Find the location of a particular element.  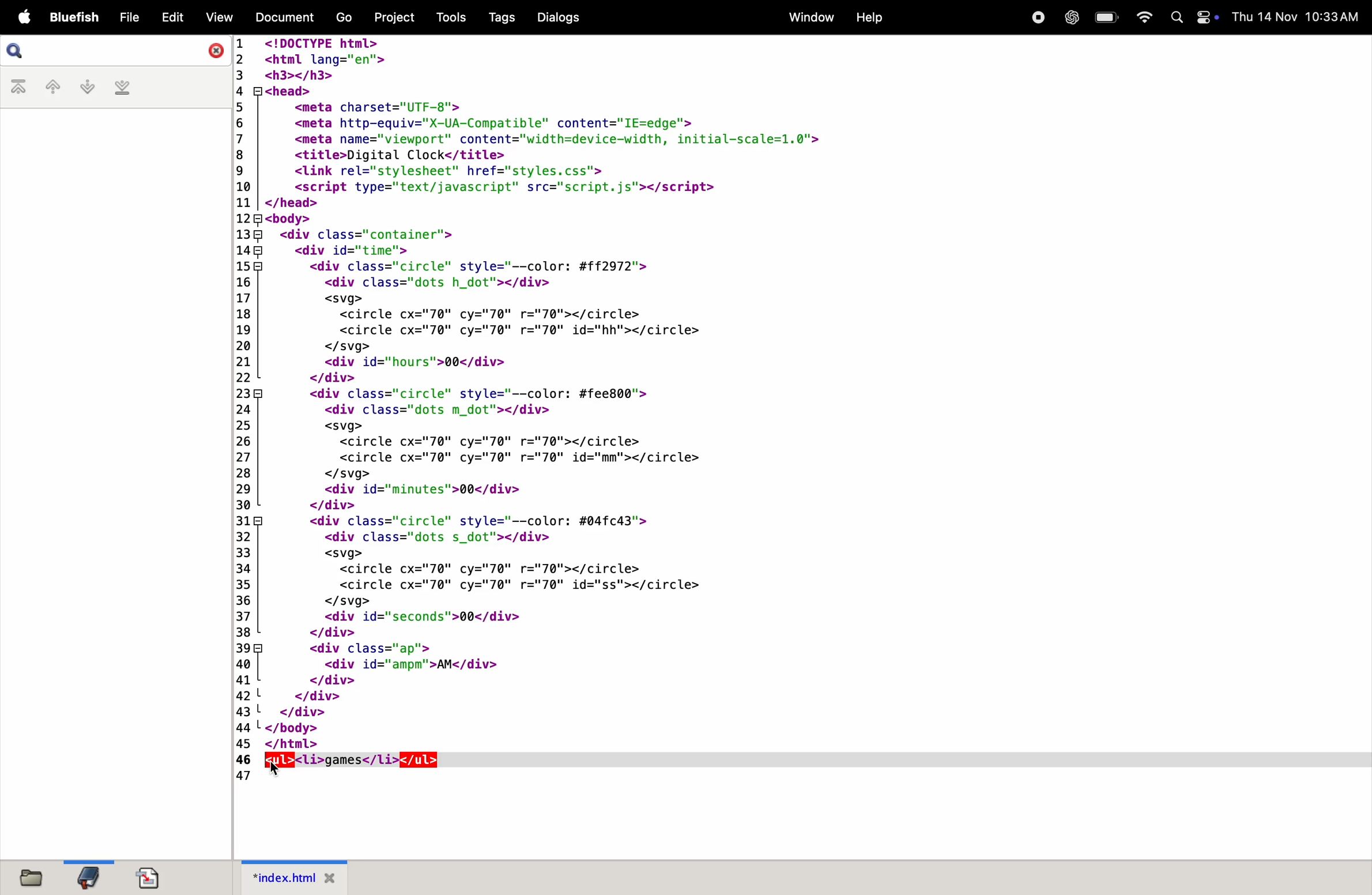

View is located at coordinates (219, 17).